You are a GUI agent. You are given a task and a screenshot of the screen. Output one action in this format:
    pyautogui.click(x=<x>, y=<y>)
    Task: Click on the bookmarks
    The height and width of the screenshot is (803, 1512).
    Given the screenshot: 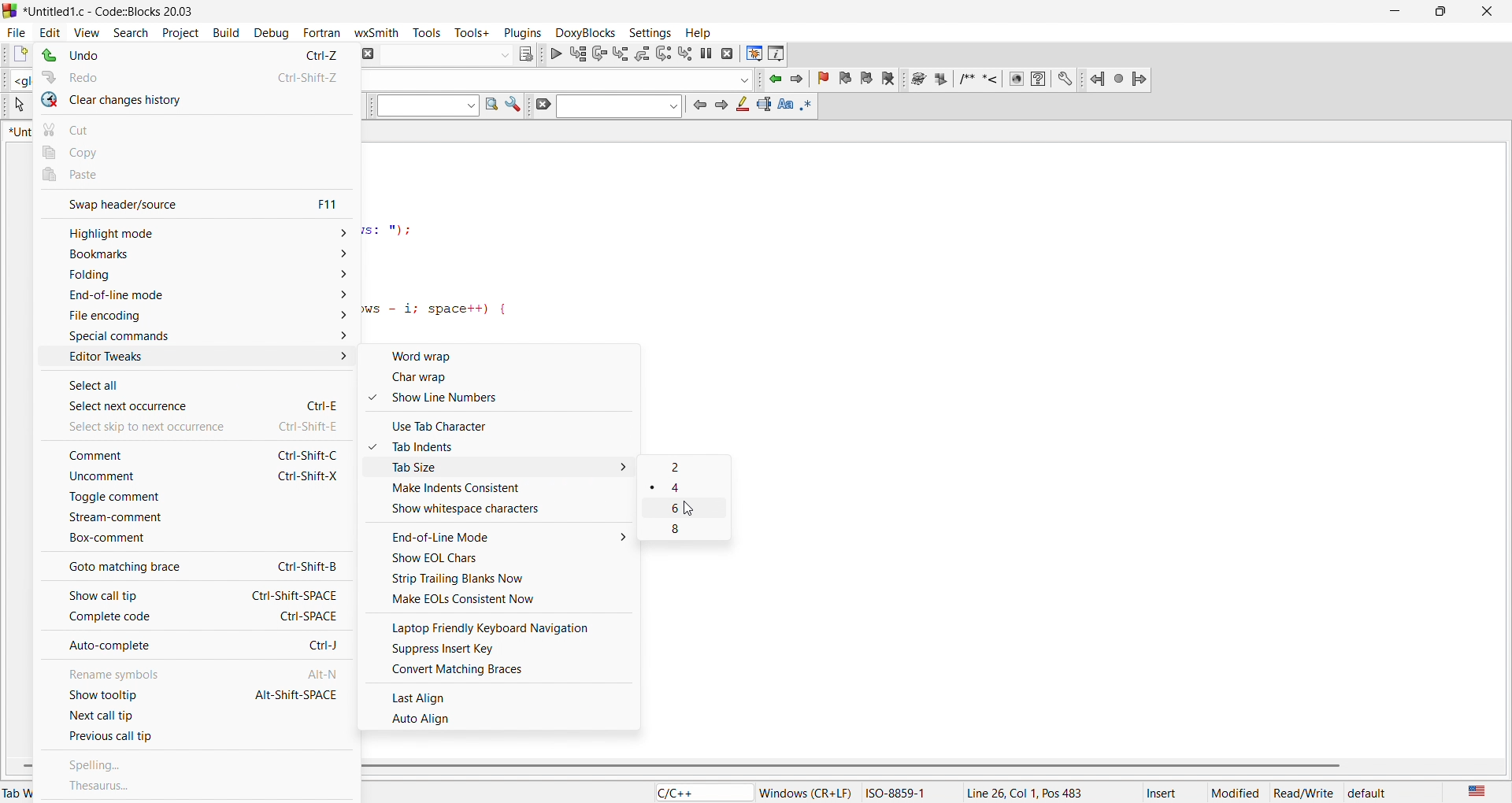 What is the action you would take?
    pyautogui.click(x=195, y=257)
    